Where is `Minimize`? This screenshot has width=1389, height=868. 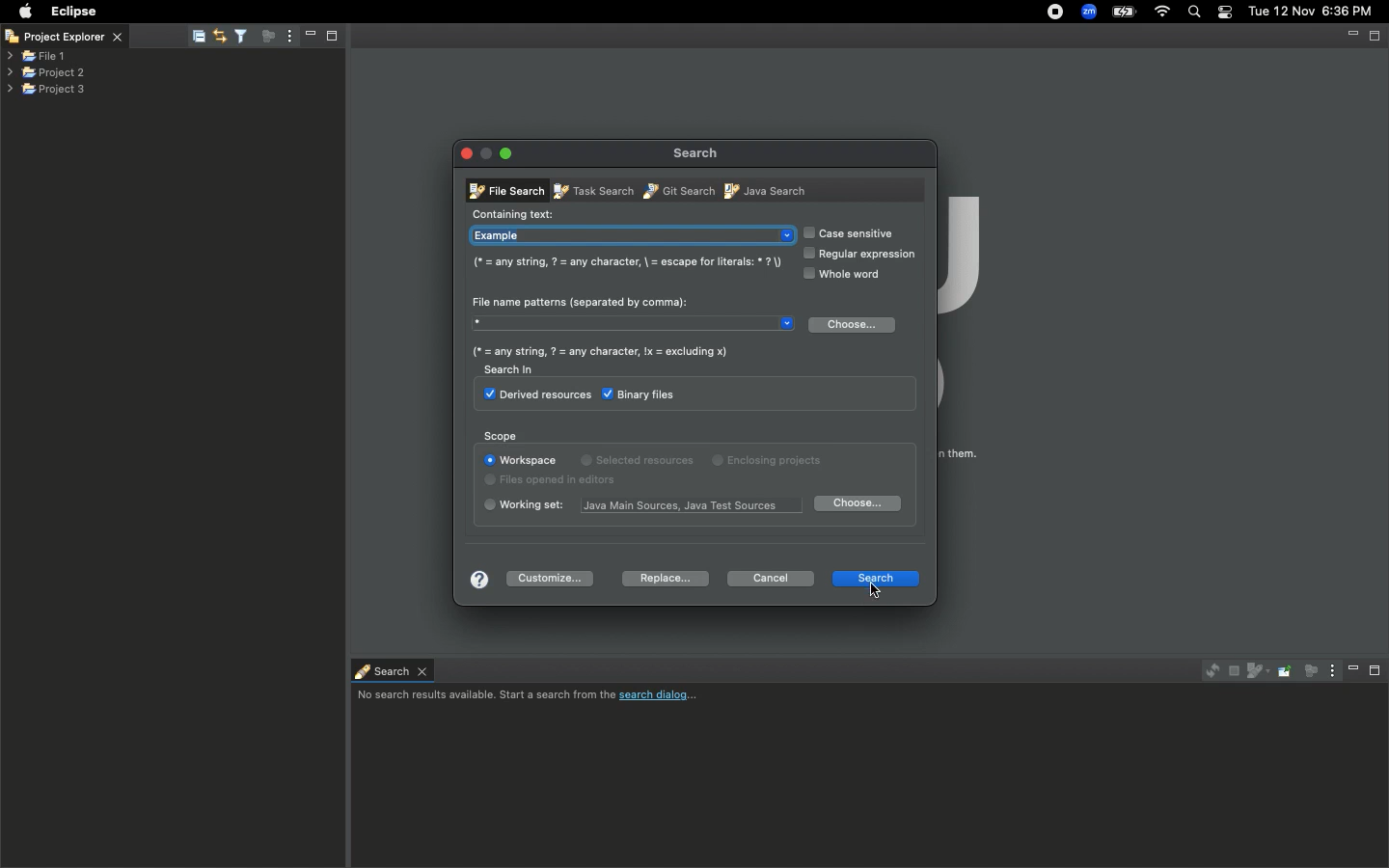
Minimize is located at coordinates (507, 152).